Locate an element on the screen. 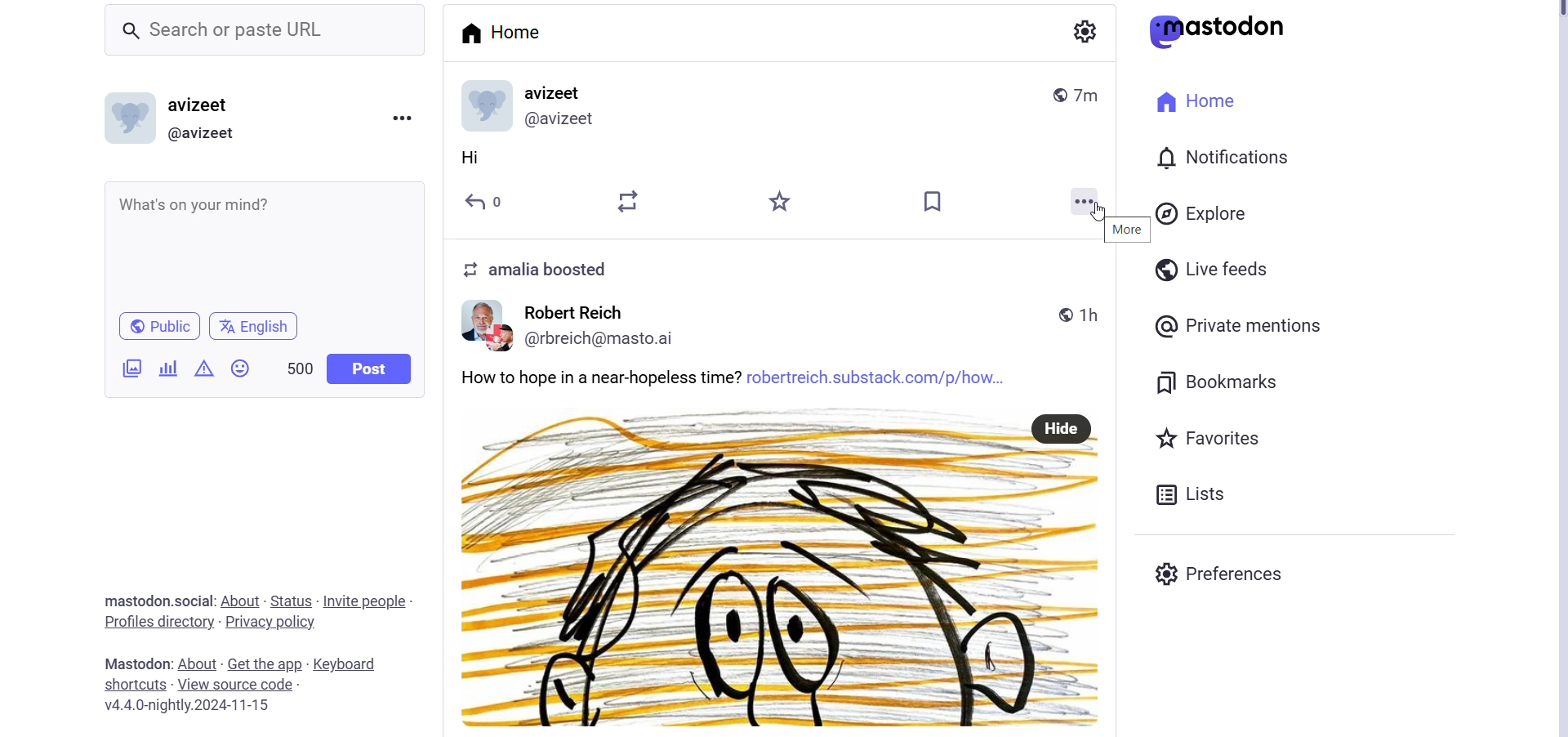  Content Warning is located at coordinates (205, 368).